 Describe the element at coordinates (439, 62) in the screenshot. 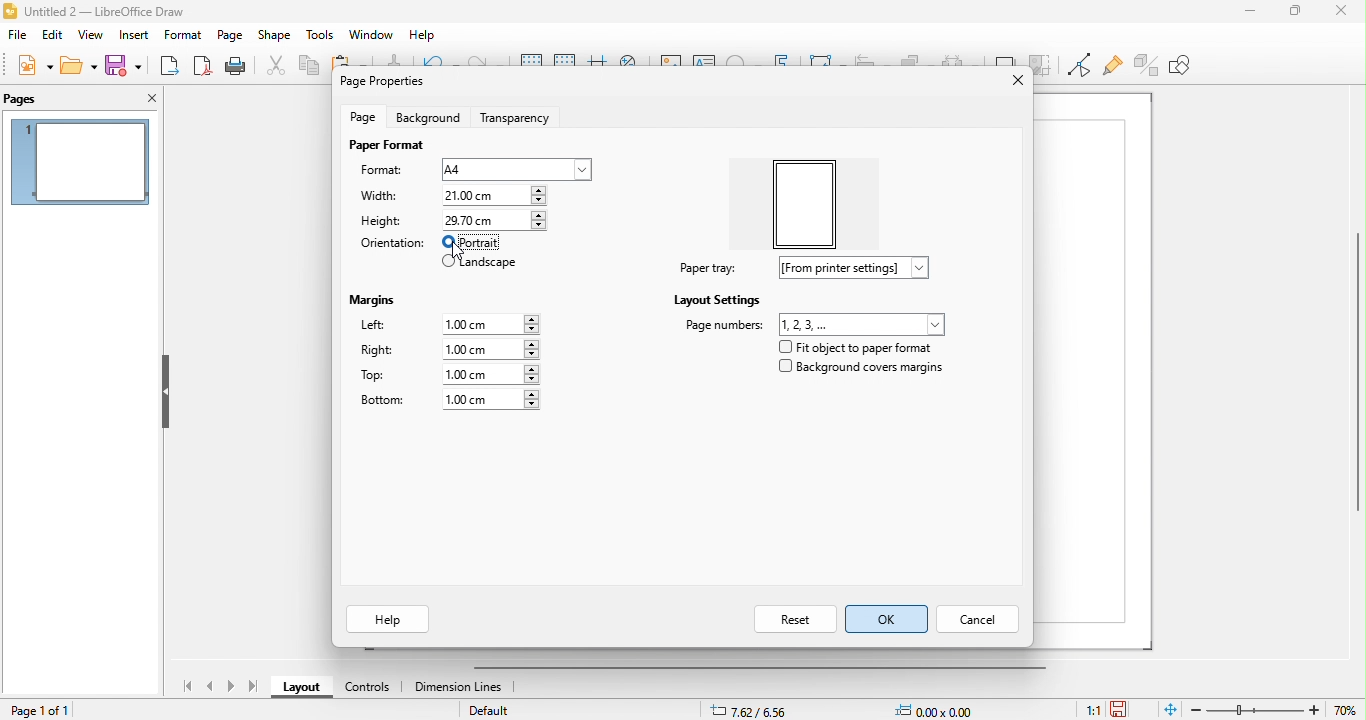

I see `undo` at that location.